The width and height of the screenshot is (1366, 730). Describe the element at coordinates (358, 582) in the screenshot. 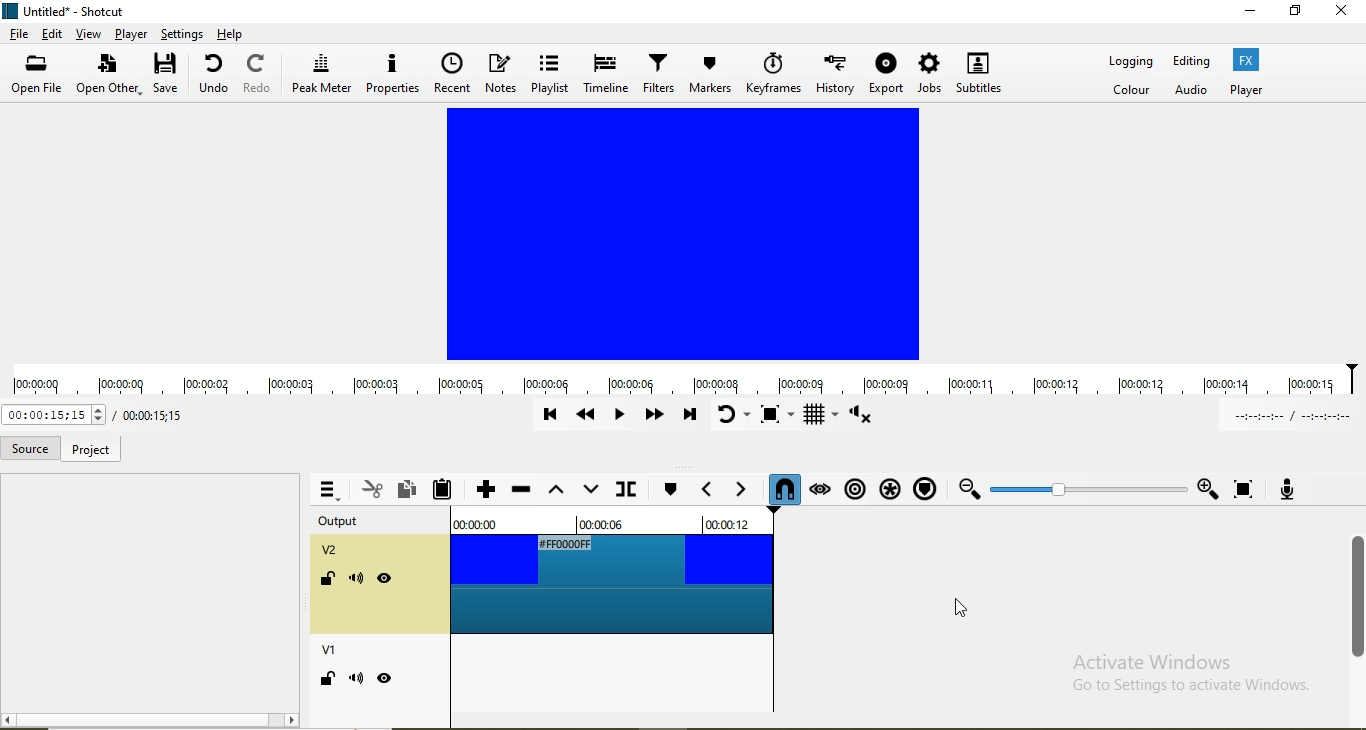

I see `mute` at that location.